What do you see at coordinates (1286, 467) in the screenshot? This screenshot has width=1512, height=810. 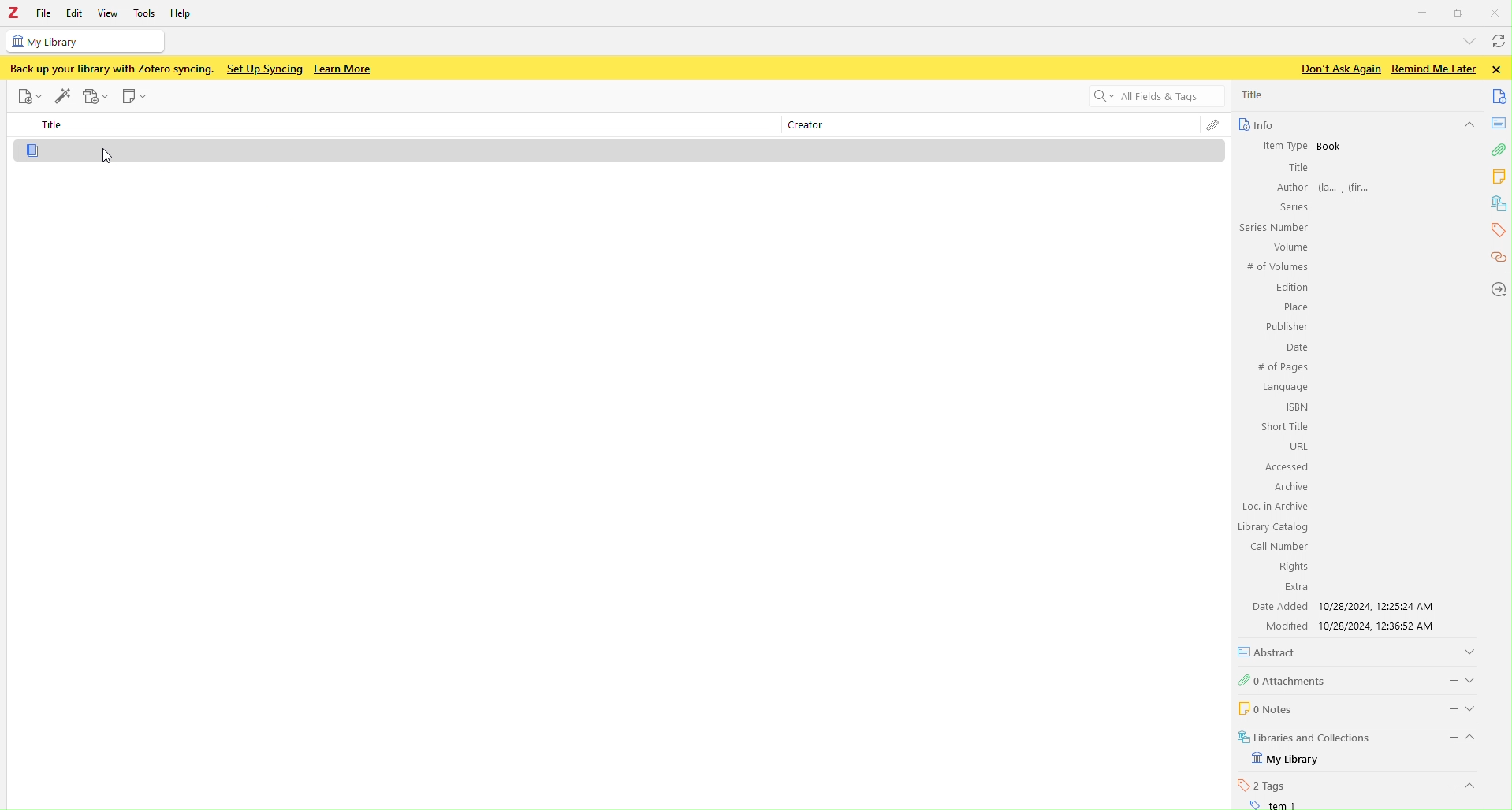 I see `Accessed` at bounding box center [1286, 467].